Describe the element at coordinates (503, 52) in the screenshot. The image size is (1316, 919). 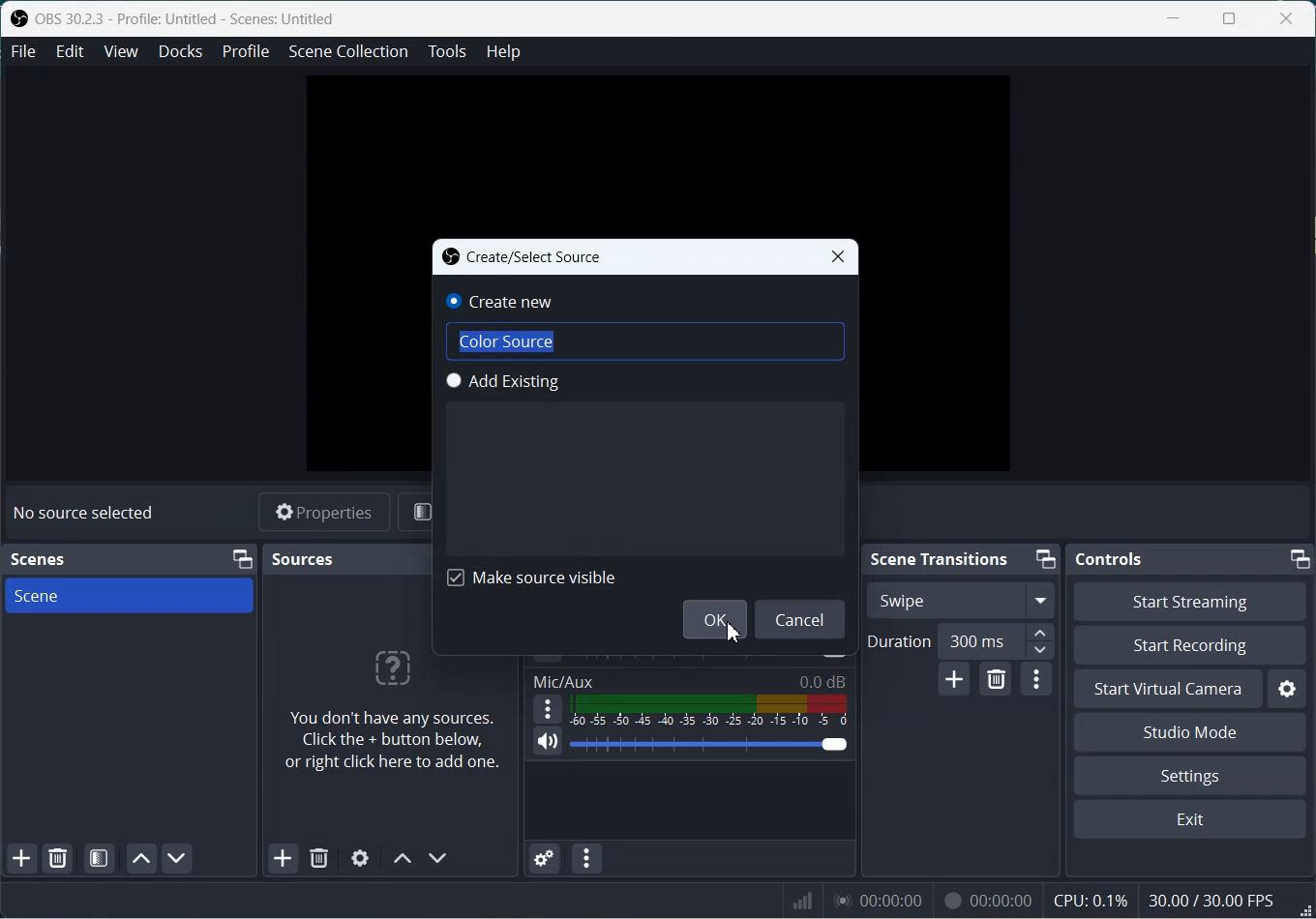
I see `Help` at that location.